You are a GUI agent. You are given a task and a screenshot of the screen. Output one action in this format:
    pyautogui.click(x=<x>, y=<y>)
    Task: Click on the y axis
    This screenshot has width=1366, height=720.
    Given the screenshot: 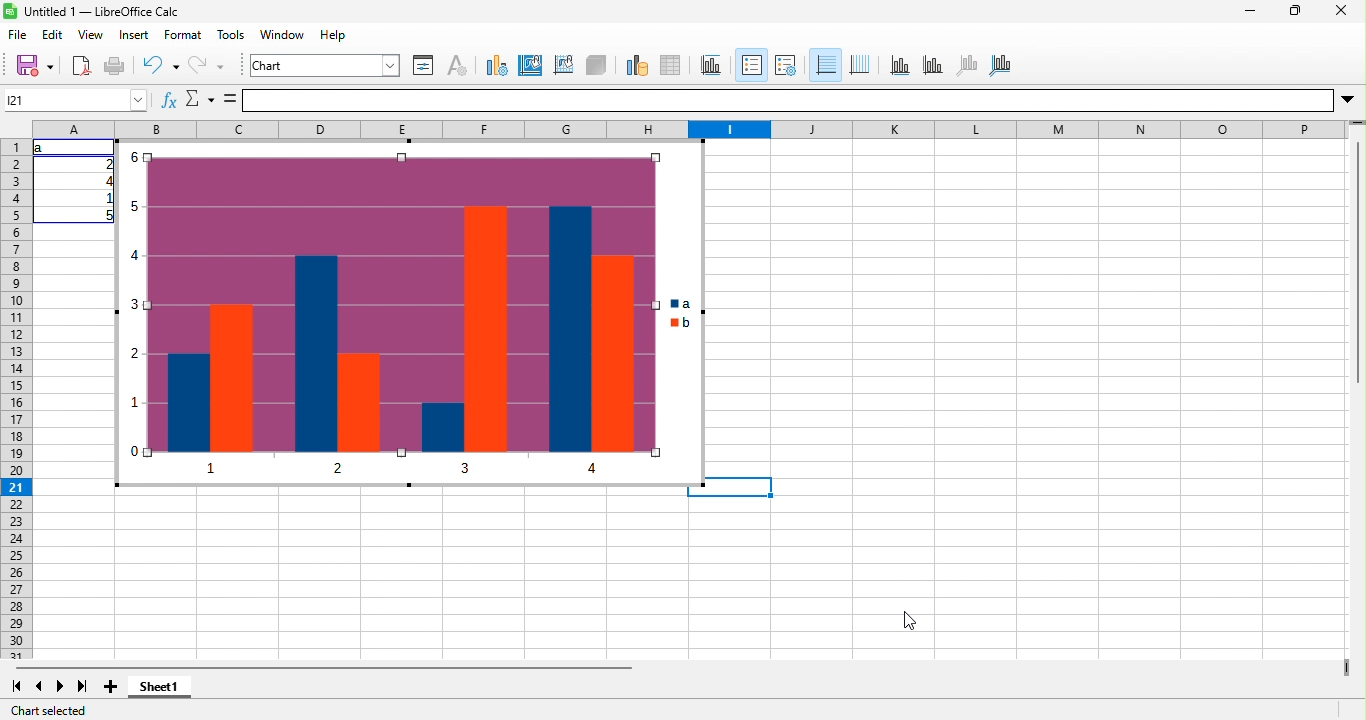 What is the action you would take?
    pyautogui.click(x=934, y=66)
    